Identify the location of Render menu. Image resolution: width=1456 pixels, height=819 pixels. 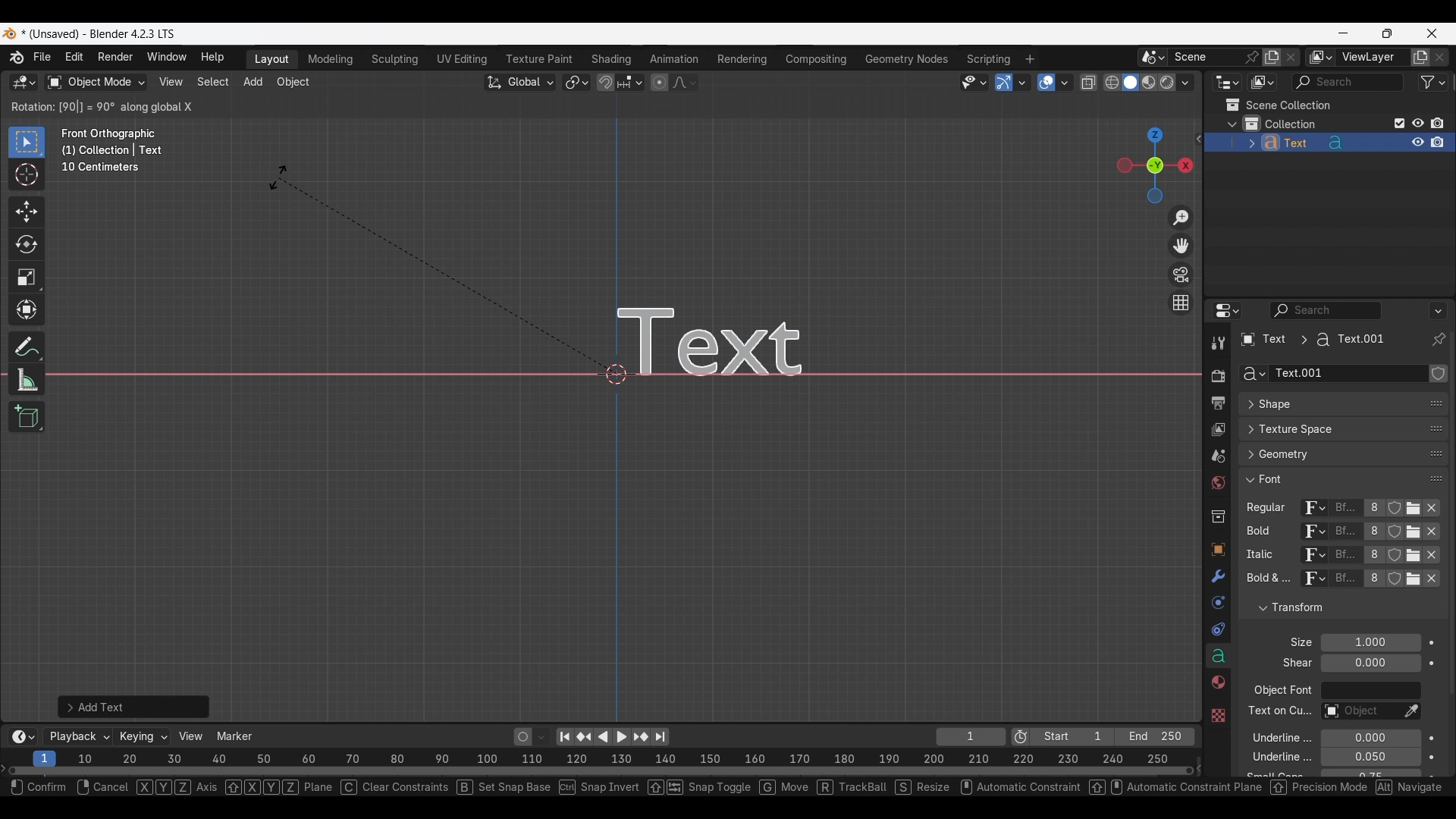
(115, 58).